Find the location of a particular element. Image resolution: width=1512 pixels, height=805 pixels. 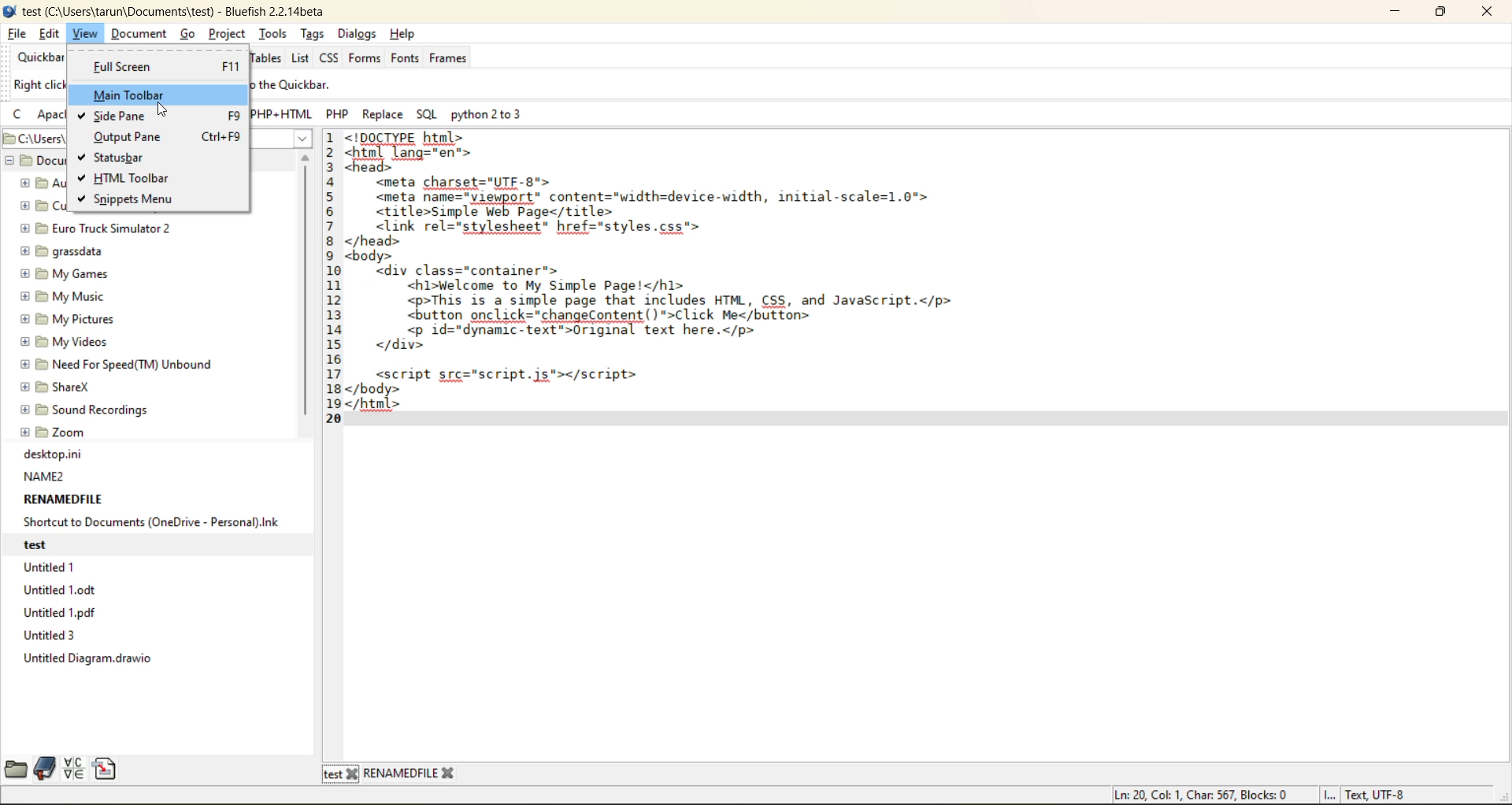

Untitled 1 is located at coordinates (52, 566).